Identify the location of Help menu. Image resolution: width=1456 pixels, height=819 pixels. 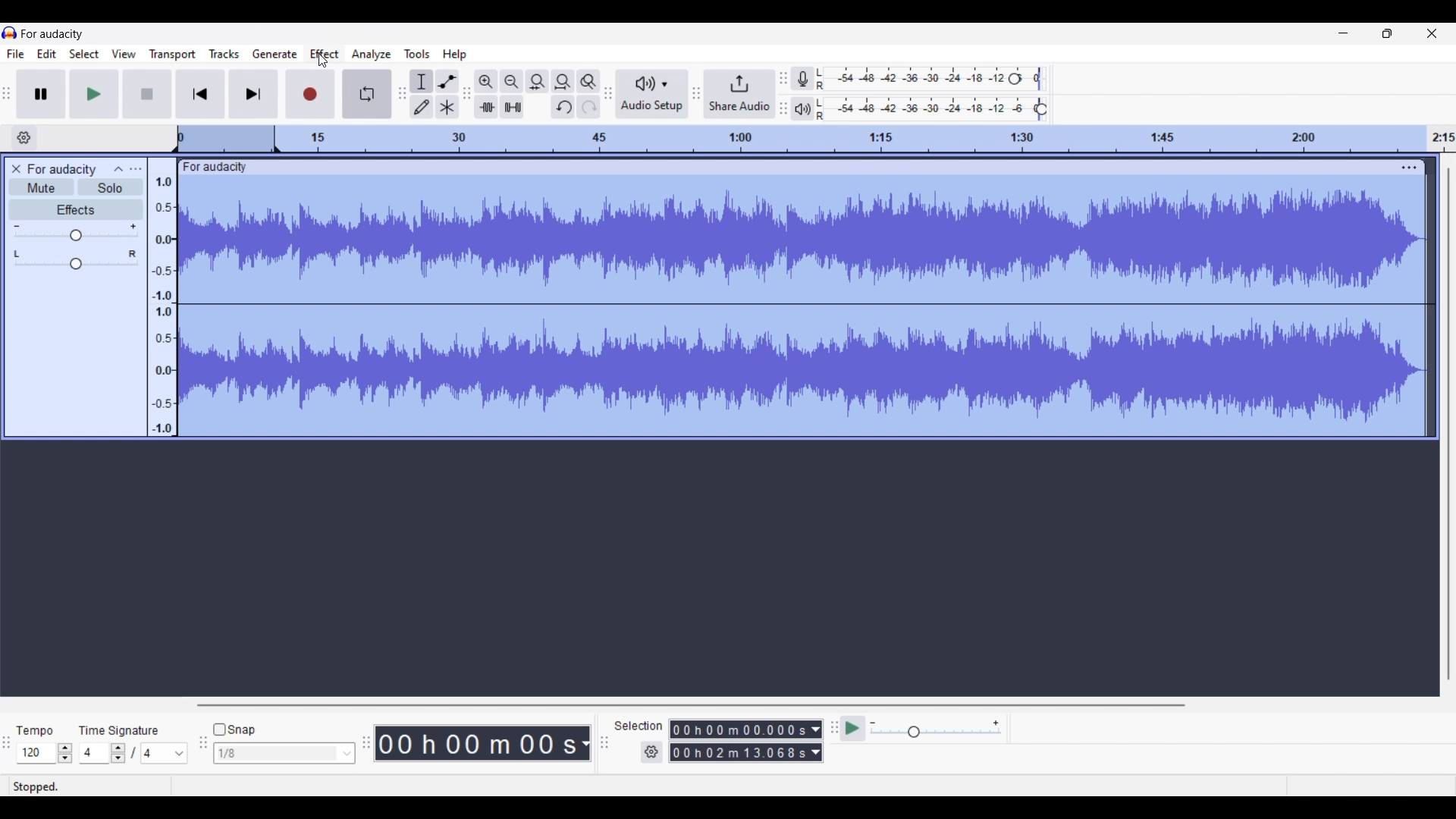
(454, 55).